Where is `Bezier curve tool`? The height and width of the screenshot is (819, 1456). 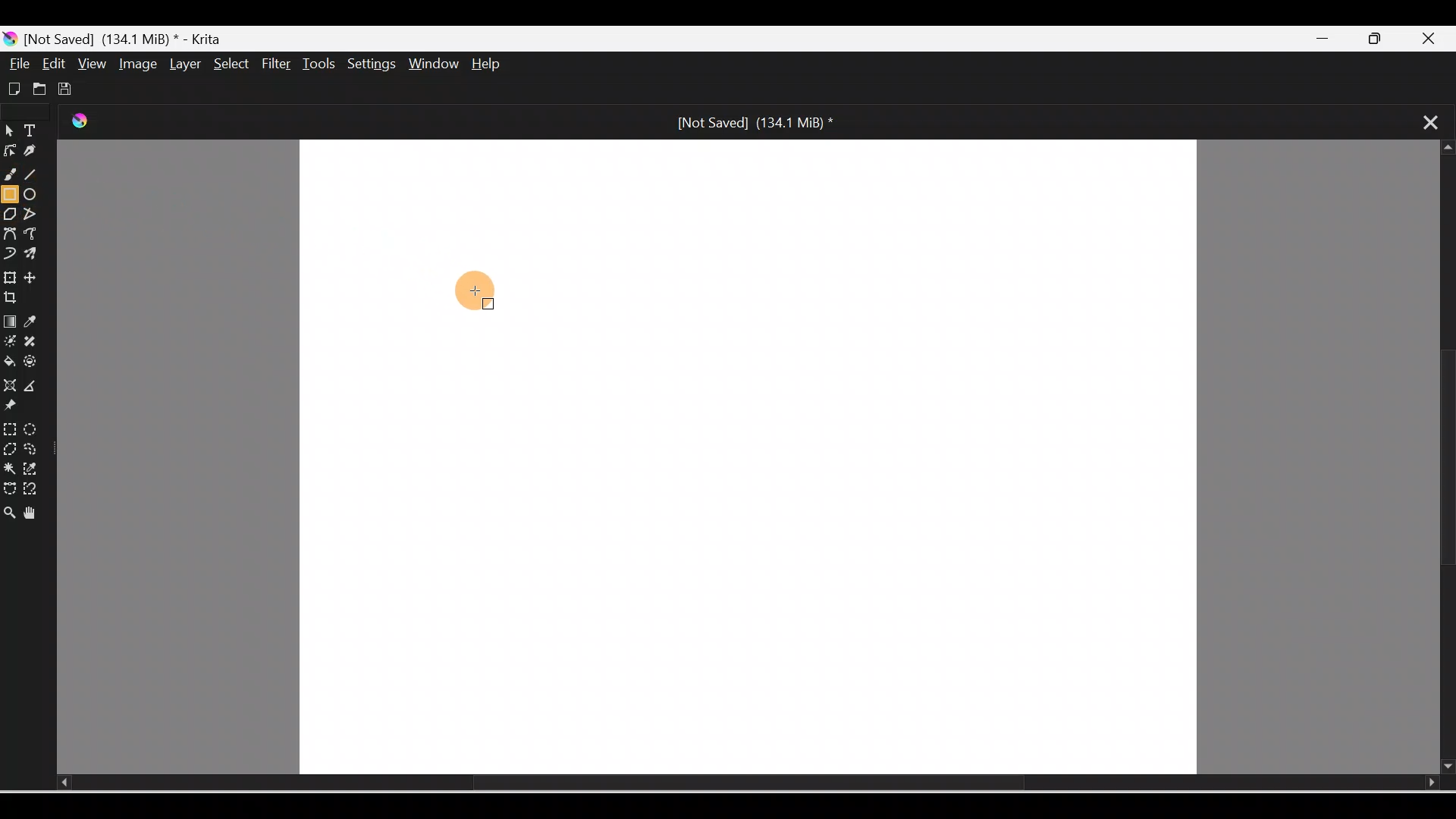 Bezier curve tool is located at coordinates (11, 233).